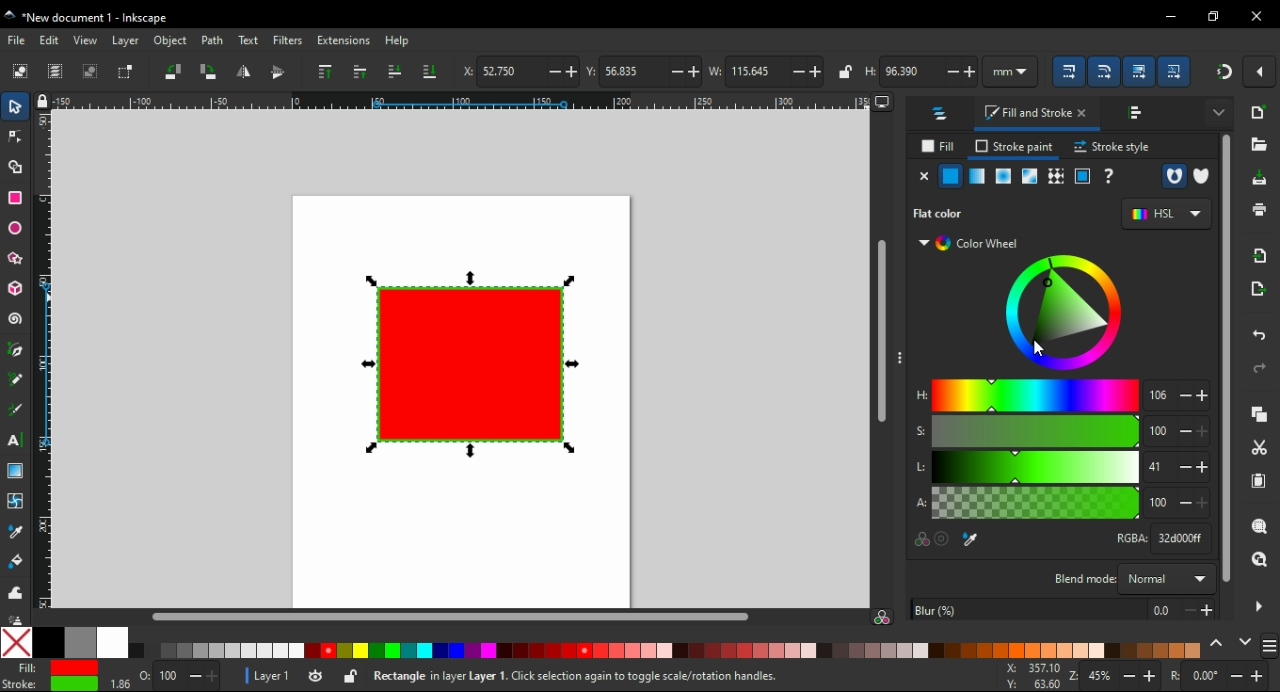  I want to click on toggle selection box to select all touched objects , so click(125, 72).